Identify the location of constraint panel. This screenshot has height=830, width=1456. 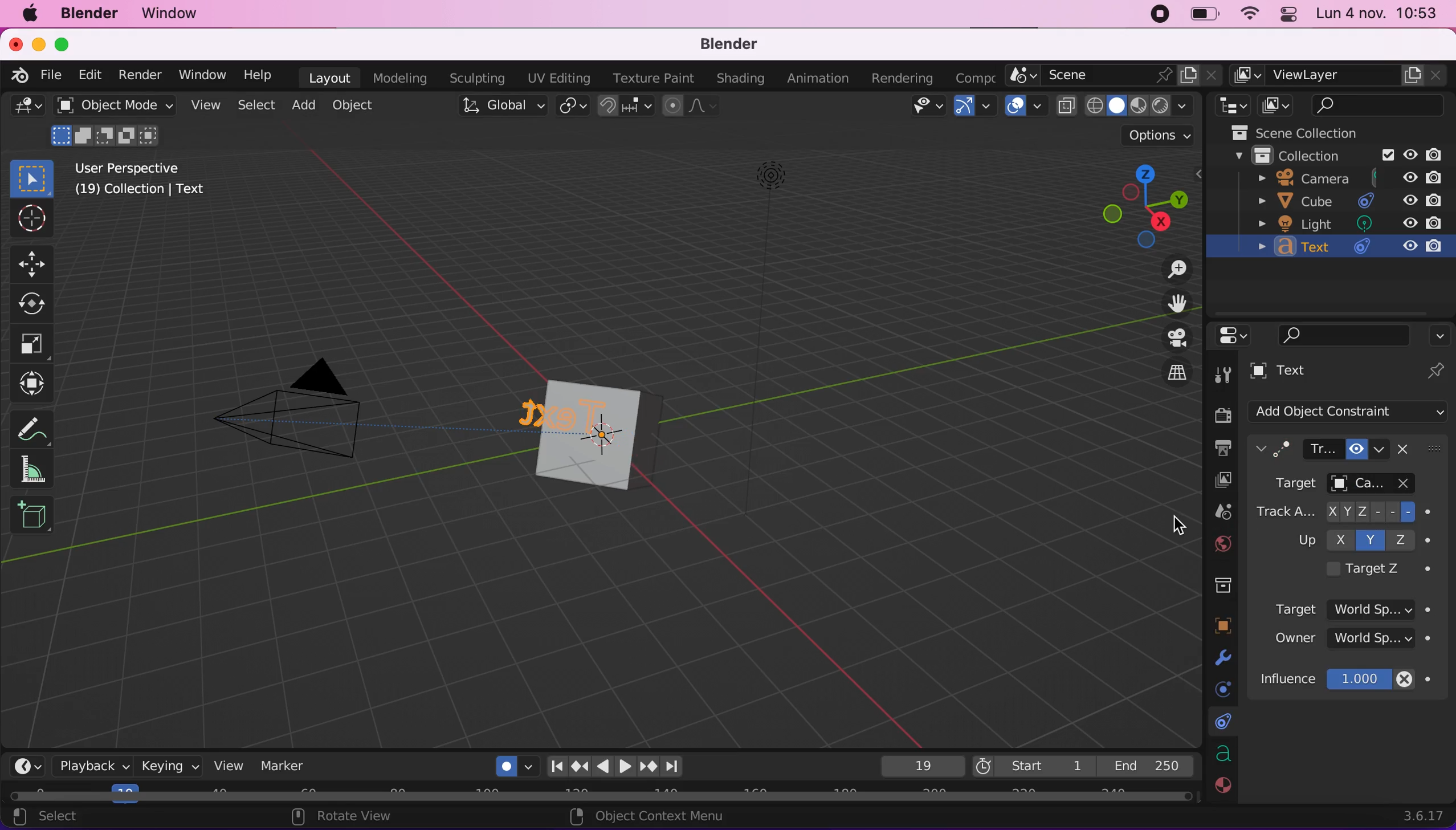
(1328, 450).